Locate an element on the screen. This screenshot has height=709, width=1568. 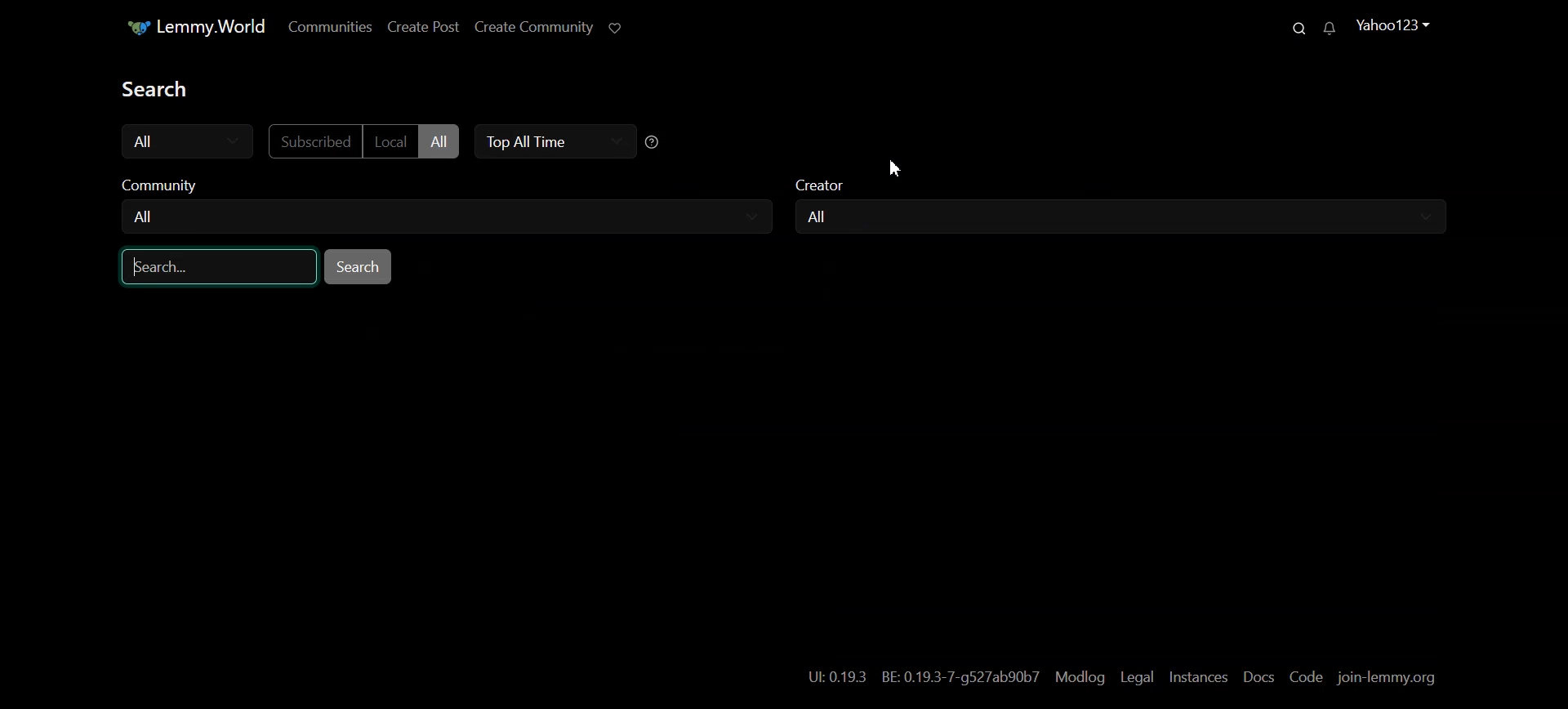
Community is located at coordinates (443, 186).